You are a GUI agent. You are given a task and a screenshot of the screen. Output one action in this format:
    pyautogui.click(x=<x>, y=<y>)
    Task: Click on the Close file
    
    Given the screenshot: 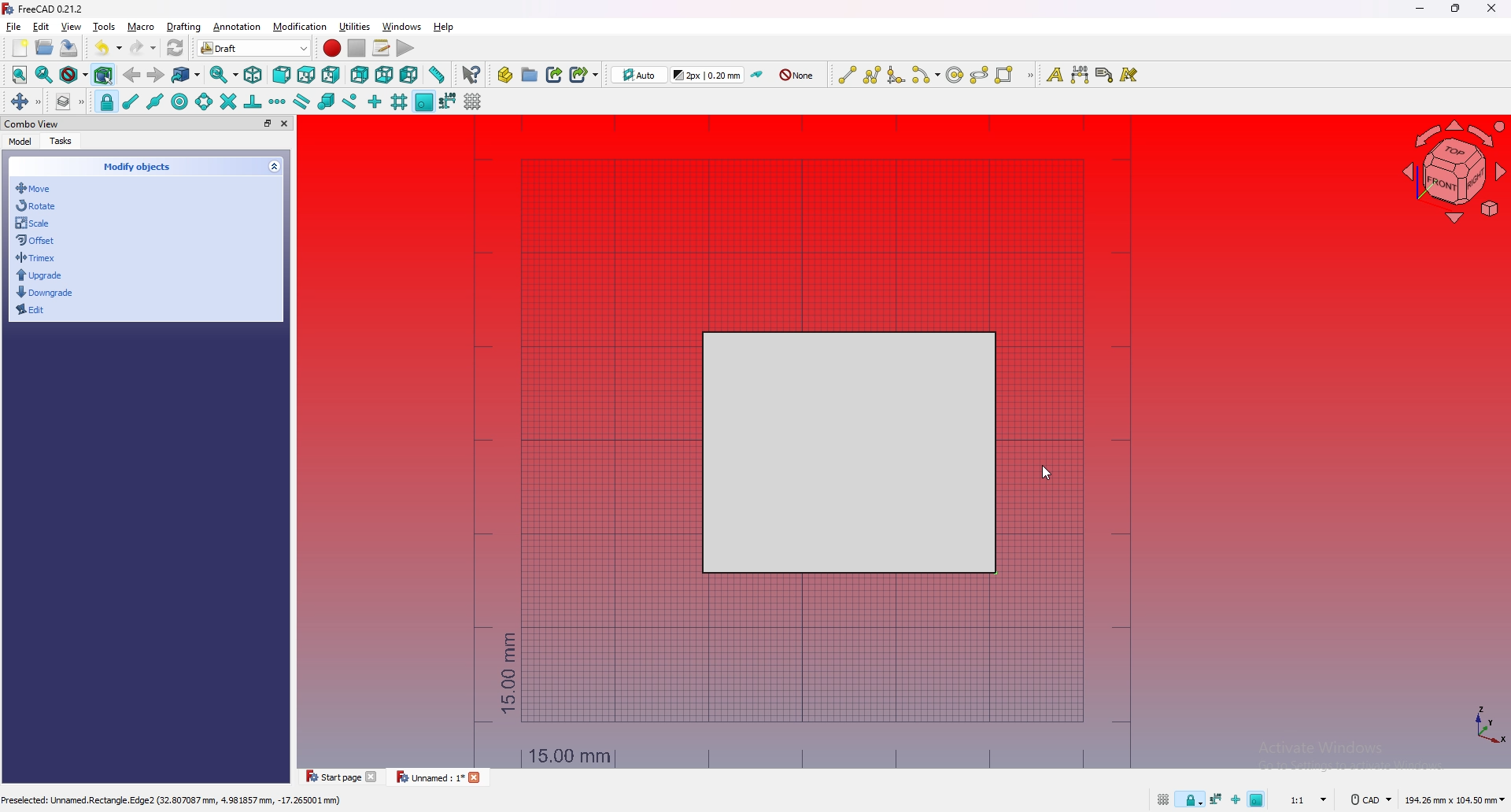 What is the action you would take?
    pyautogui.click(x=374, y=777)
    